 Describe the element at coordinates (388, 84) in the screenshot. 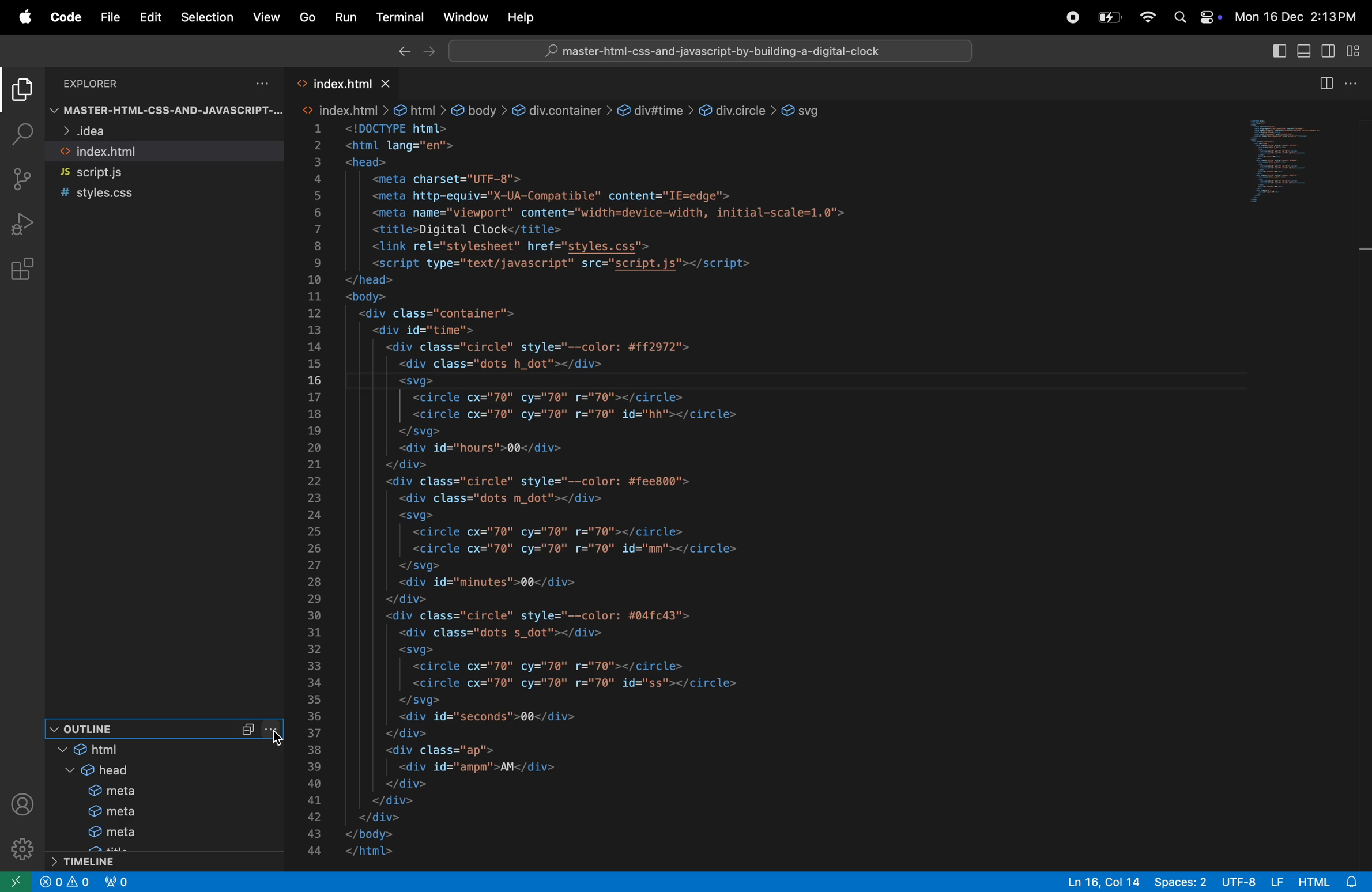

I see `close` at that location.